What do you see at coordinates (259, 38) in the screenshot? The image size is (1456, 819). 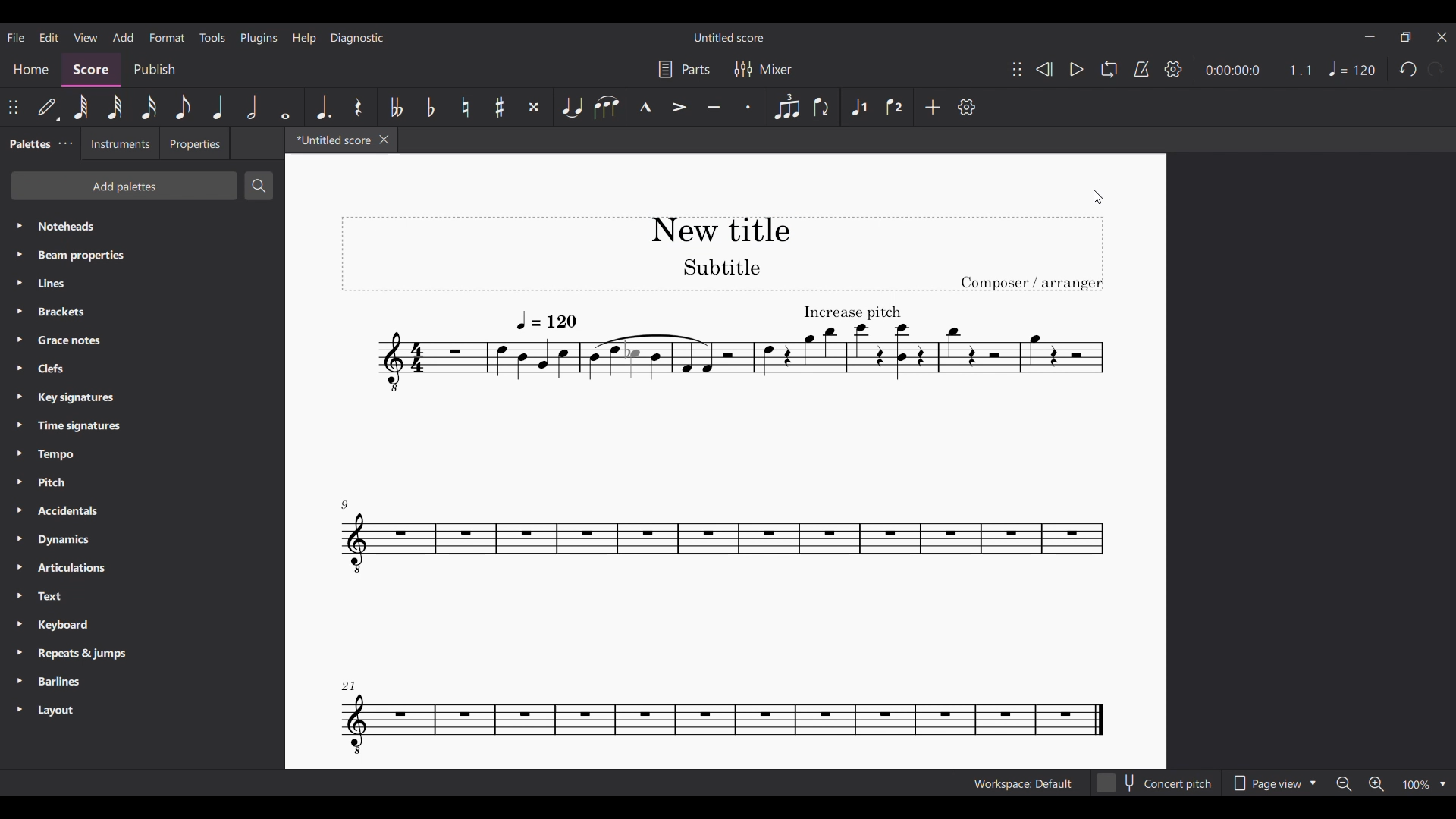 I see `Plugins meu` at bounding box center [259, 38].